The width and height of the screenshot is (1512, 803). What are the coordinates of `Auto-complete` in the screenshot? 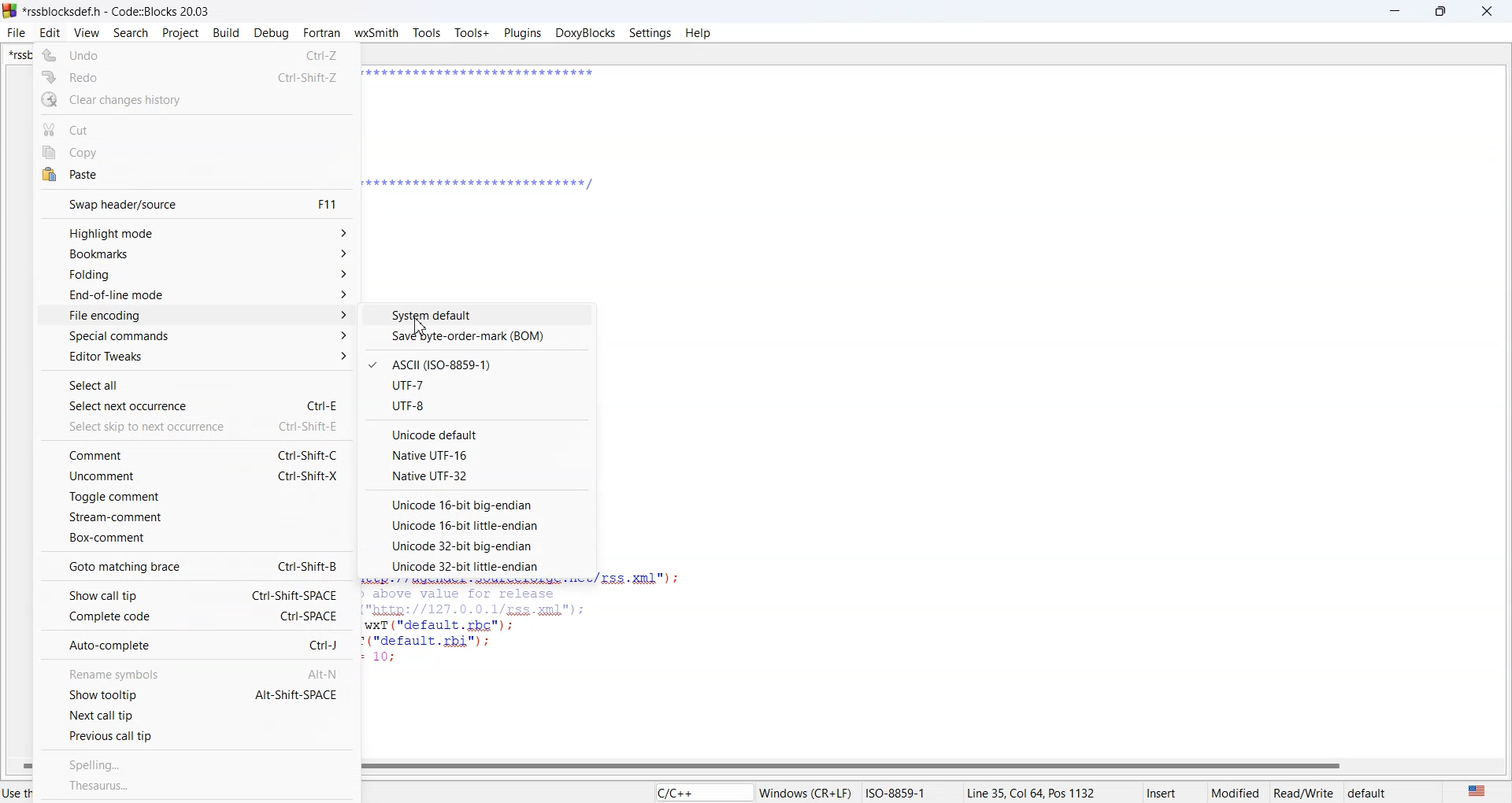 It's located at (195, 645).